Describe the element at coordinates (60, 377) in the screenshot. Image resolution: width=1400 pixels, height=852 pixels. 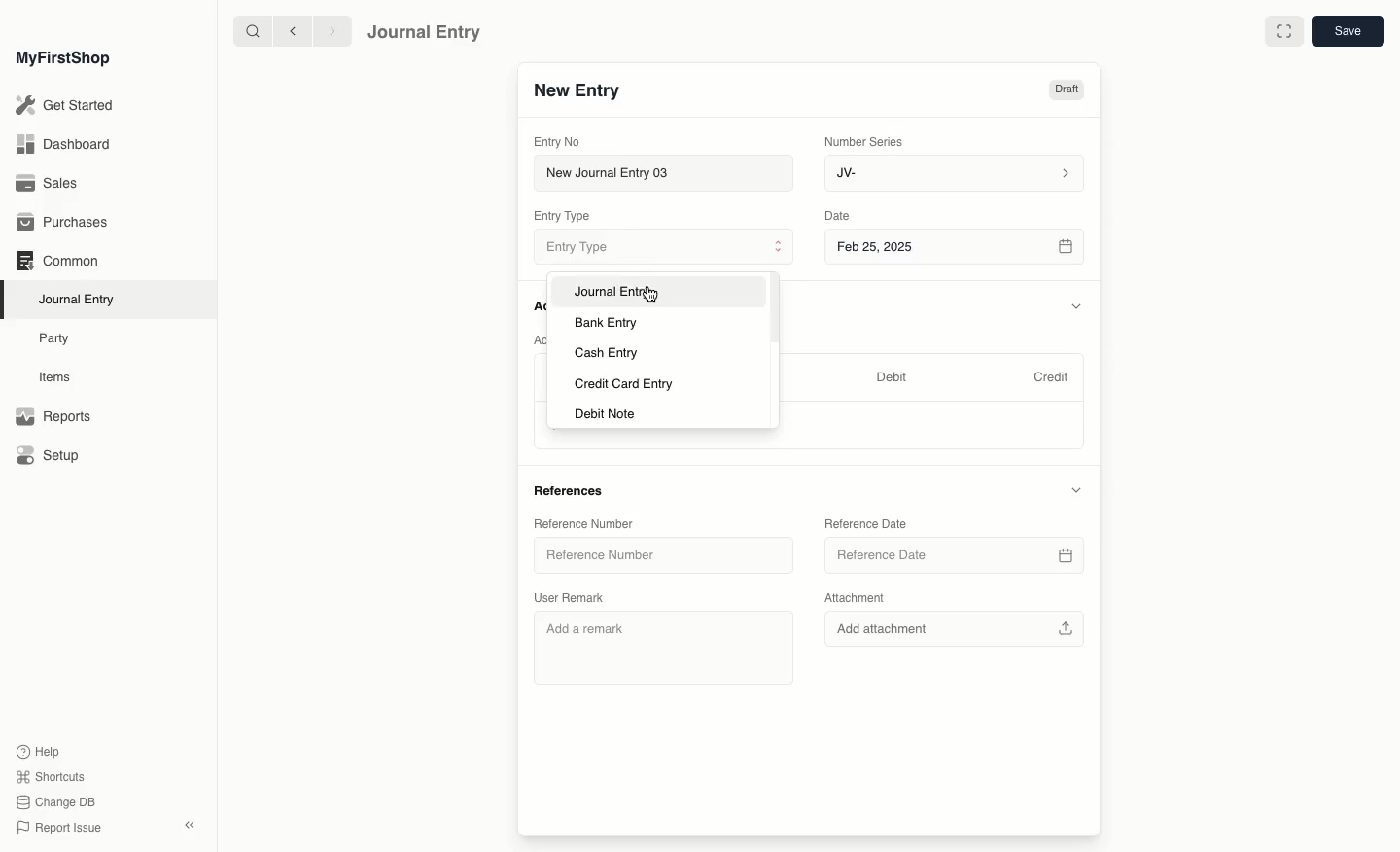
I see `Items` at that location.